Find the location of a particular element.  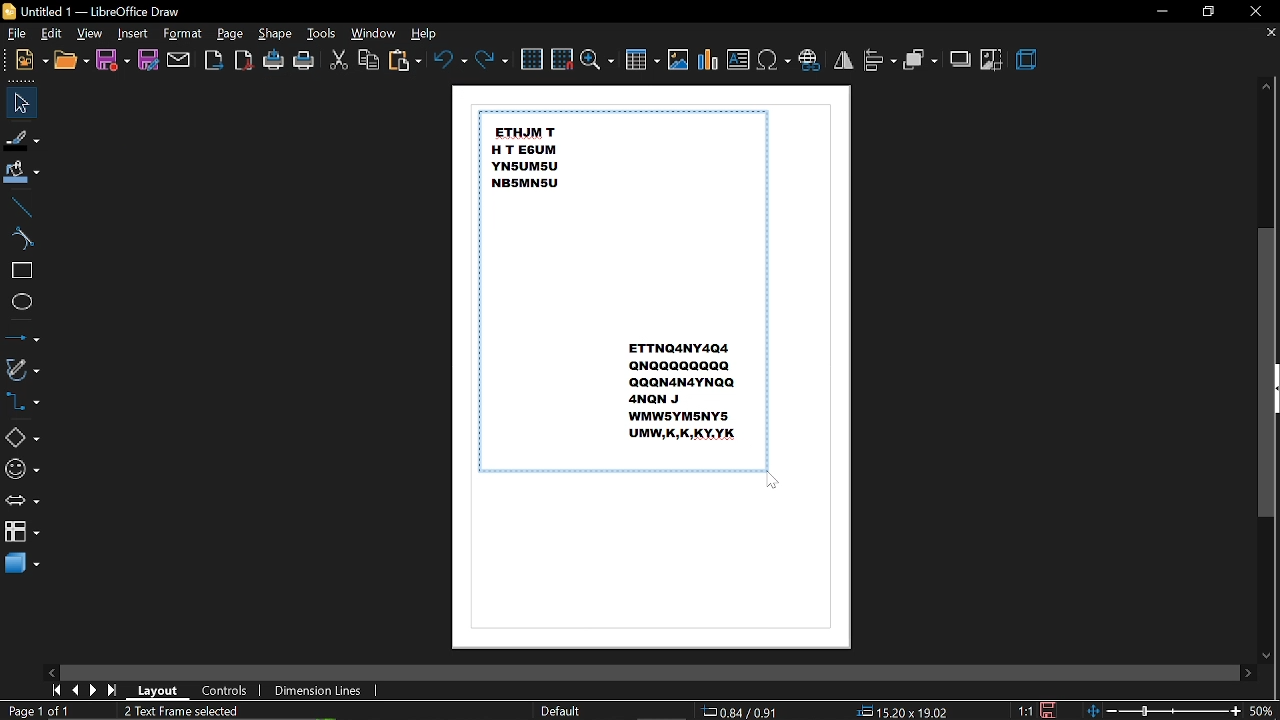

50% is located at coordinates (1262, 712).